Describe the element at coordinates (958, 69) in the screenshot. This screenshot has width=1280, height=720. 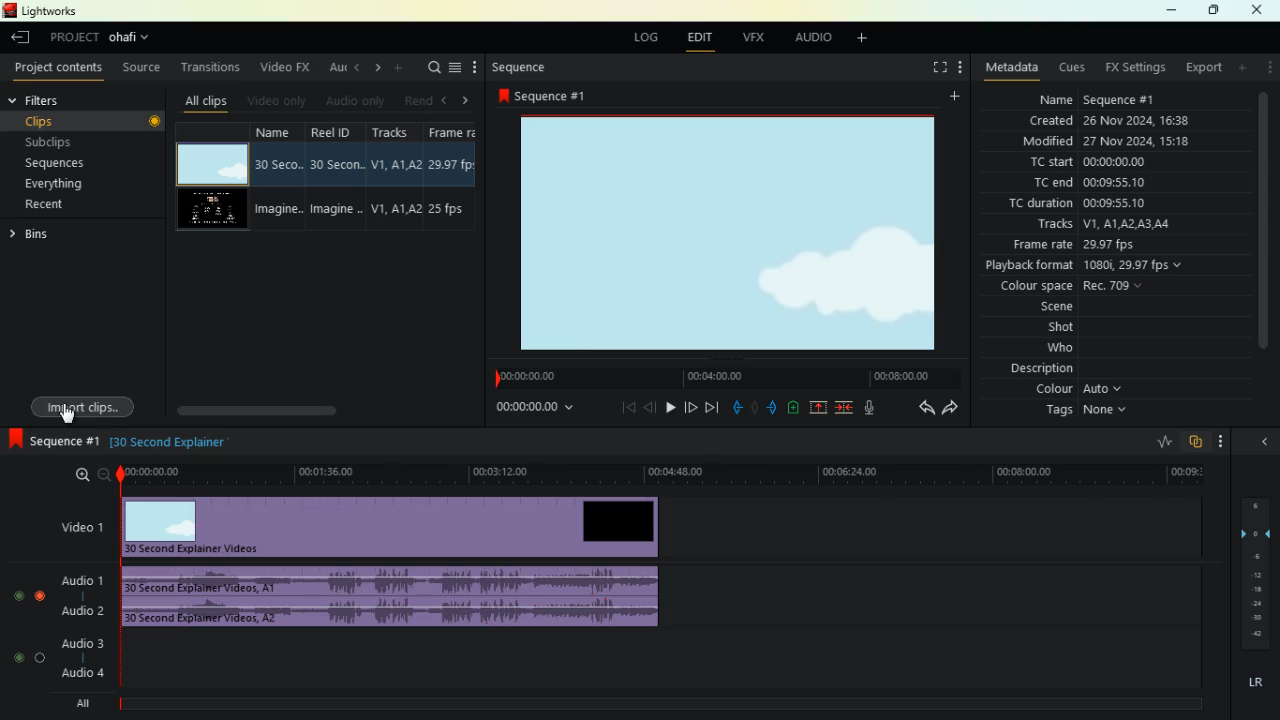
I see `more` at that location.